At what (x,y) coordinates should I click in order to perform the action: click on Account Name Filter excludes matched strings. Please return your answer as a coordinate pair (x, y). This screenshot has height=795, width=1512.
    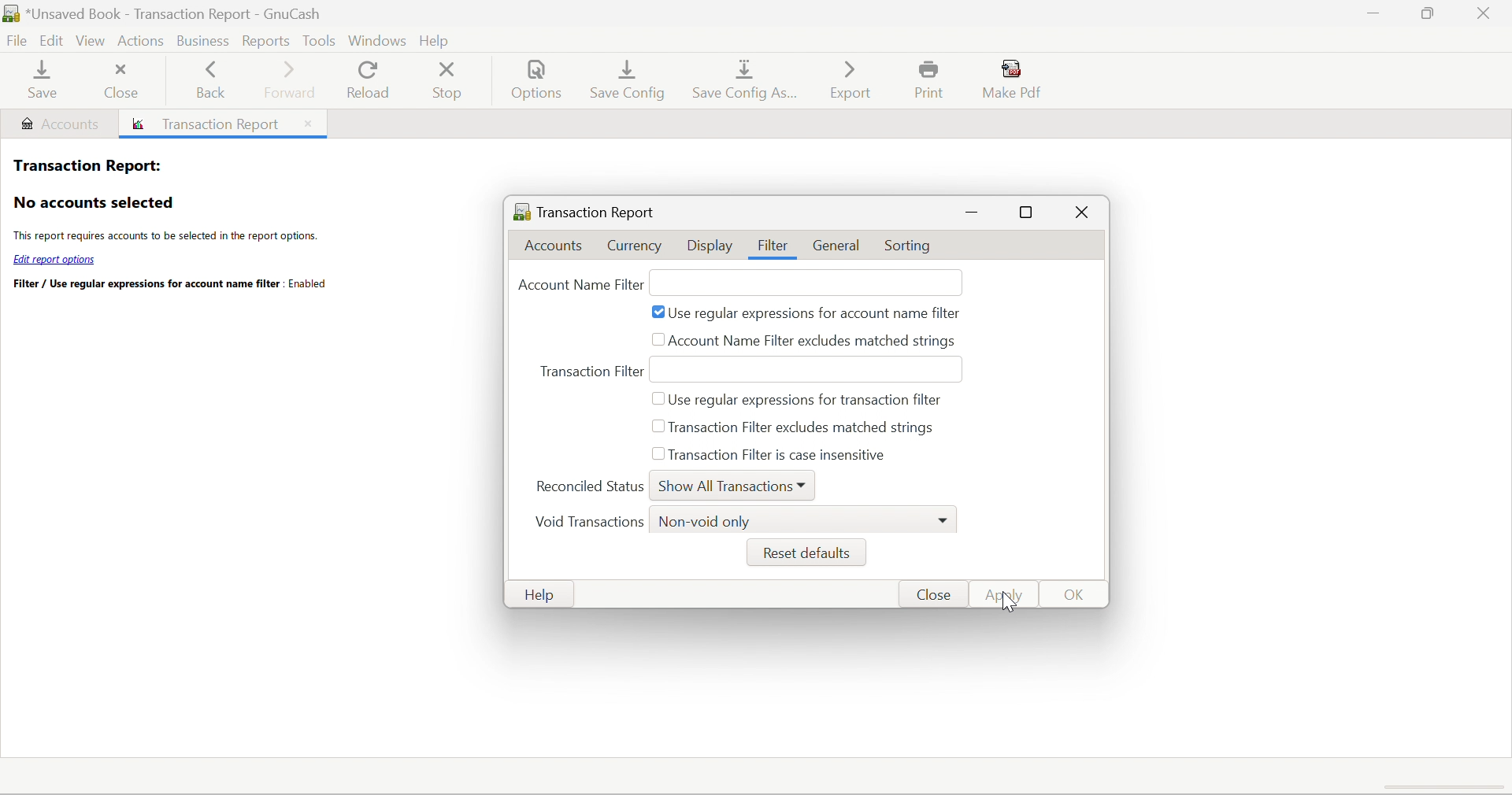
    Looking at the image, I should click on (813, 342).